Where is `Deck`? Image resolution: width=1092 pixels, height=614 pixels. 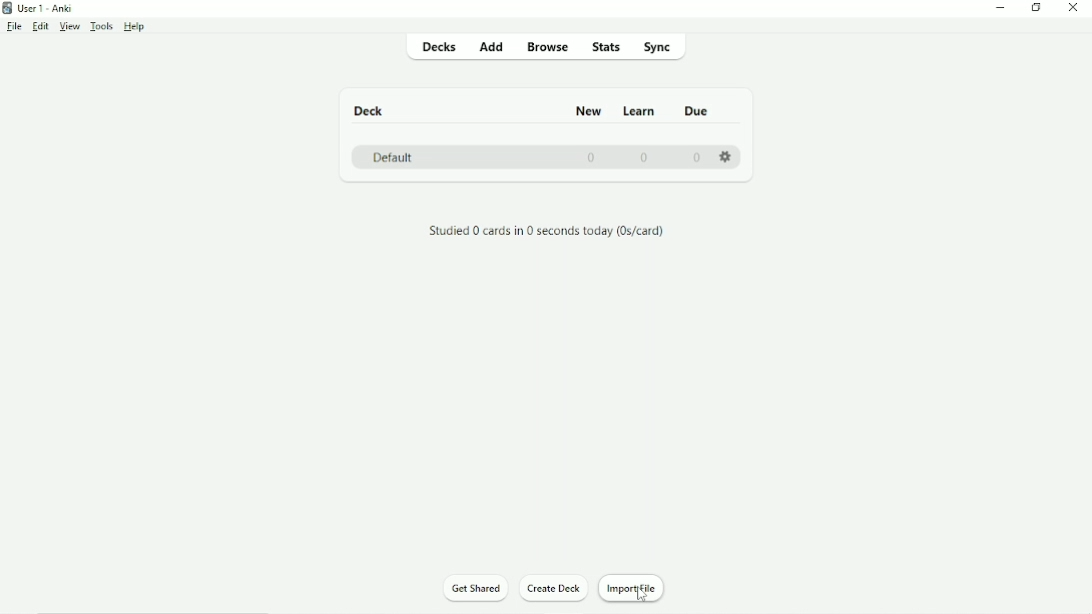
Deck is located at coordinates (369, 110).